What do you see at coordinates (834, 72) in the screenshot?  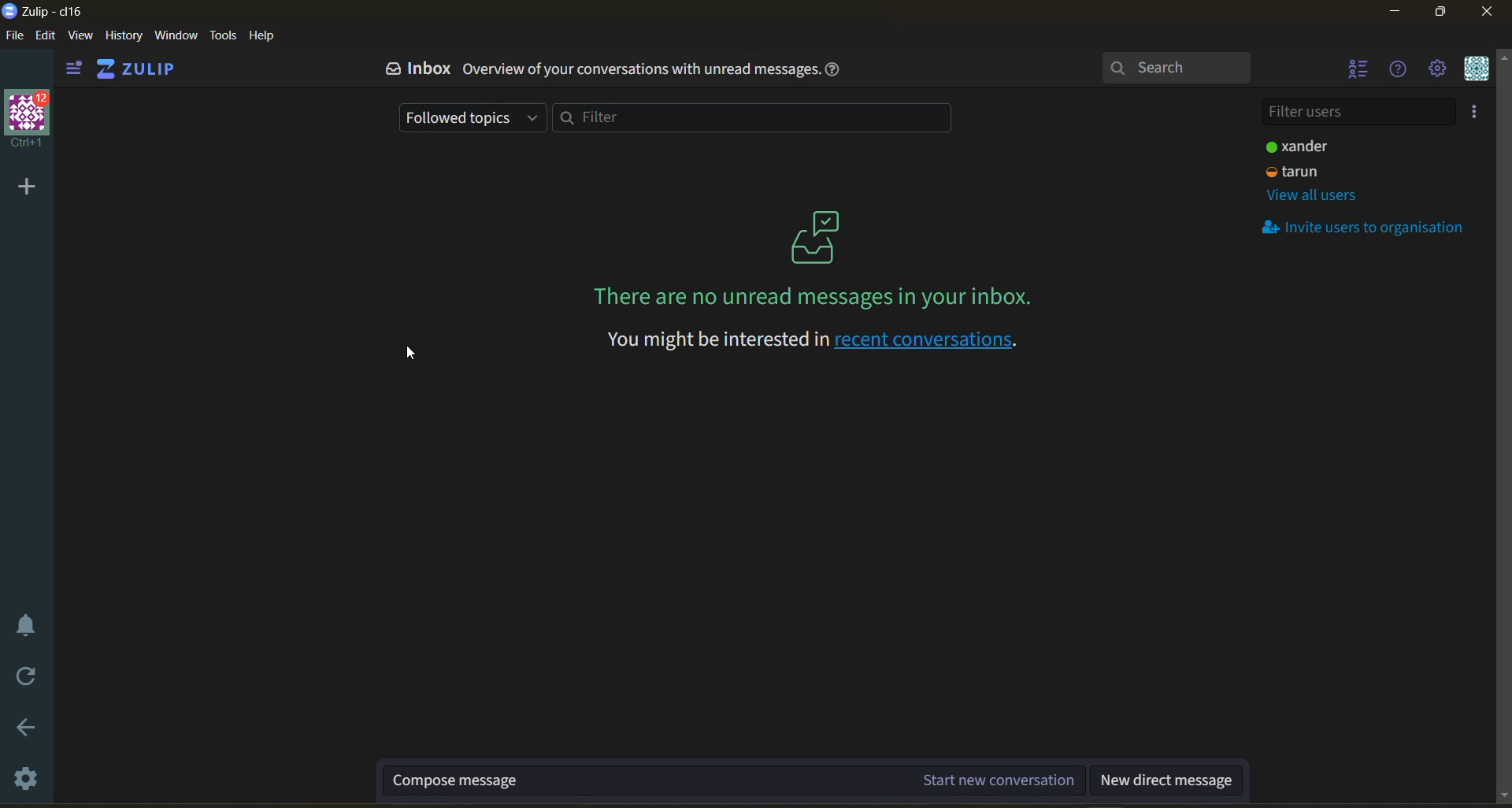 I see `help` at bounding box center [834, 72].